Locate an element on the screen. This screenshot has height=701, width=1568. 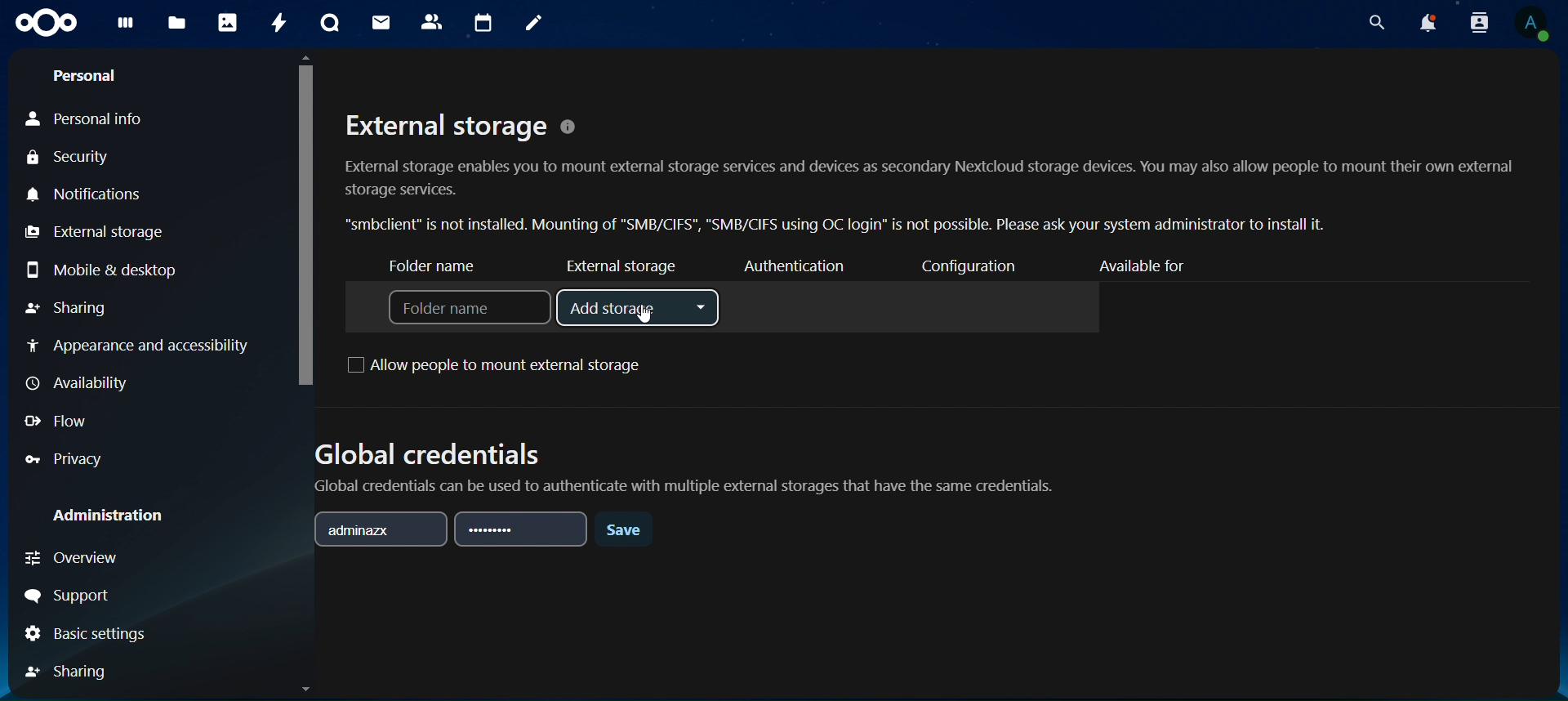
activity is located at coordinates (275, 24).